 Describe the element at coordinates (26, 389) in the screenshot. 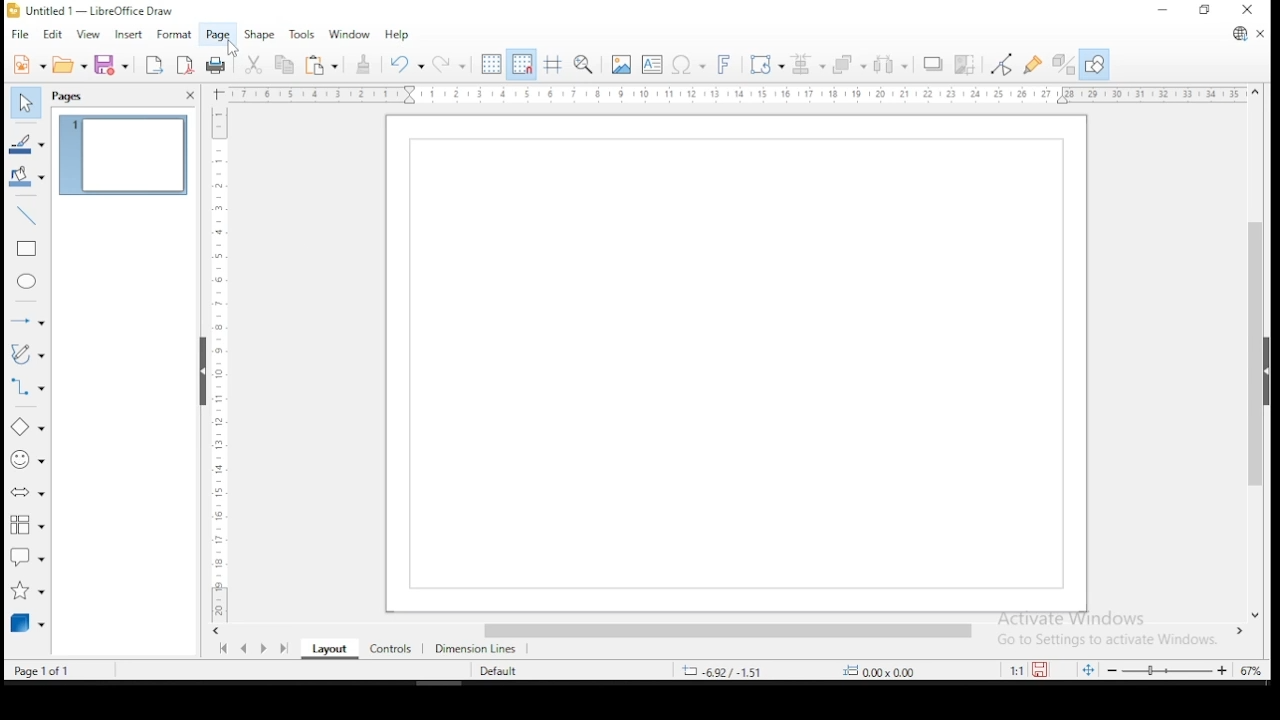

I see `connecters` at that location.